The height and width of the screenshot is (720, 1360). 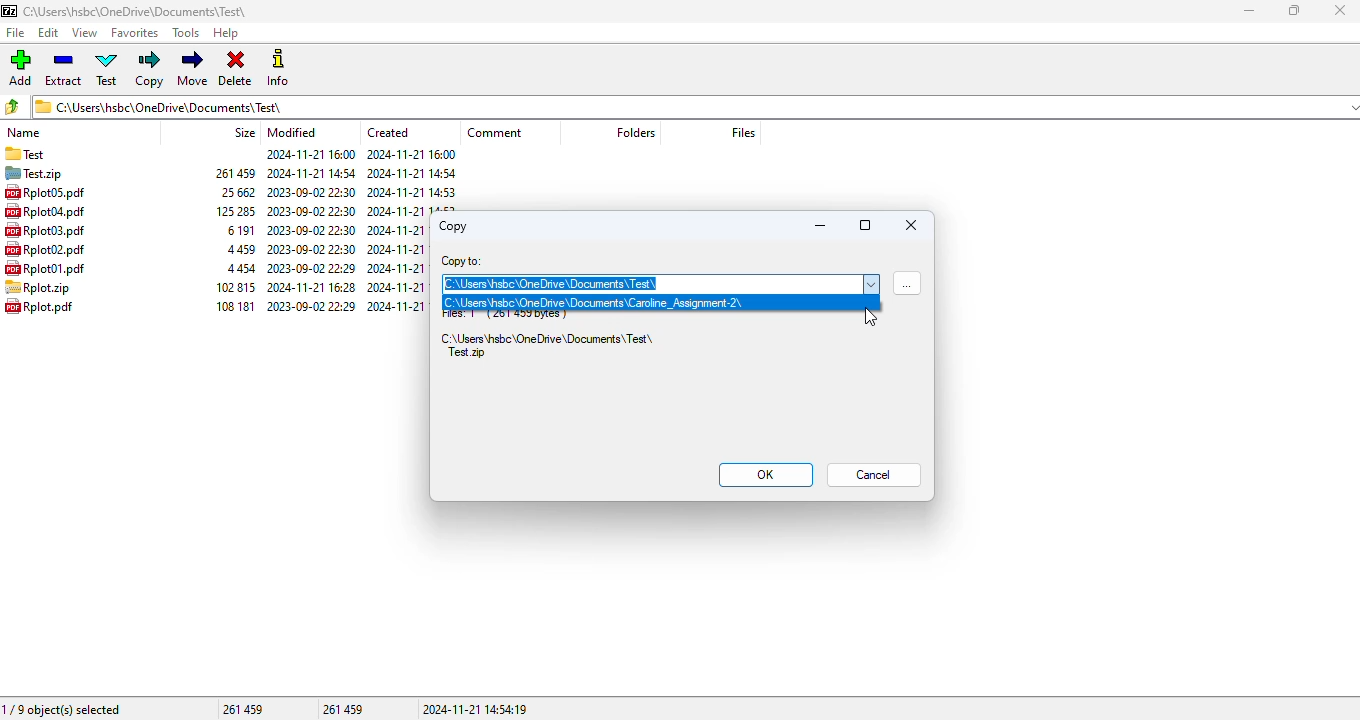 What do you see at coordinates (1292, 10) in the screenshot?
I see `maximize` at bounding box center [1292, 10].